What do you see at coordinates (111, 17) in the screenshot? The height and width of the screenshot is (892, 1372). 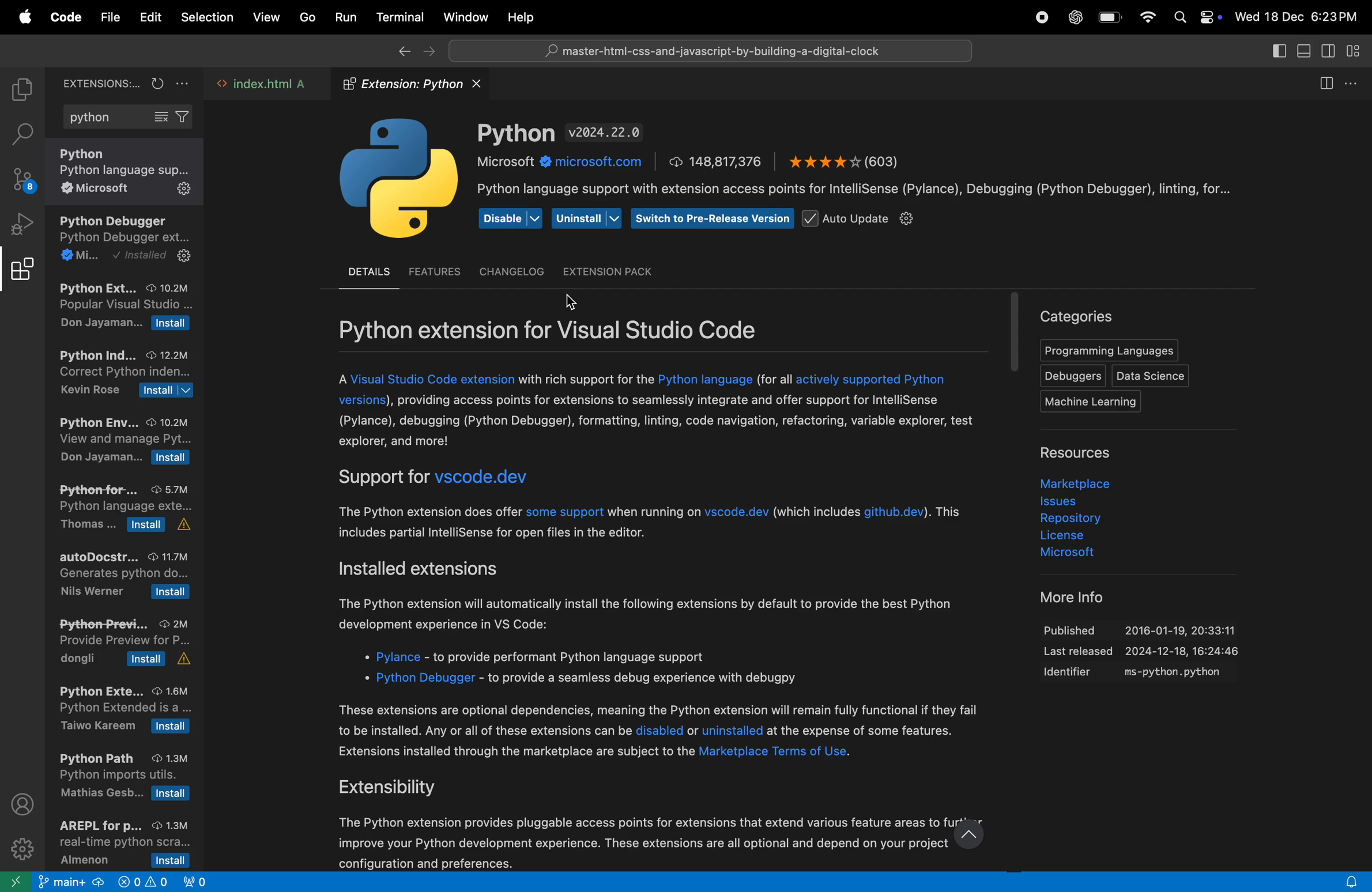 I see `file` at bounding box center [111, 17].